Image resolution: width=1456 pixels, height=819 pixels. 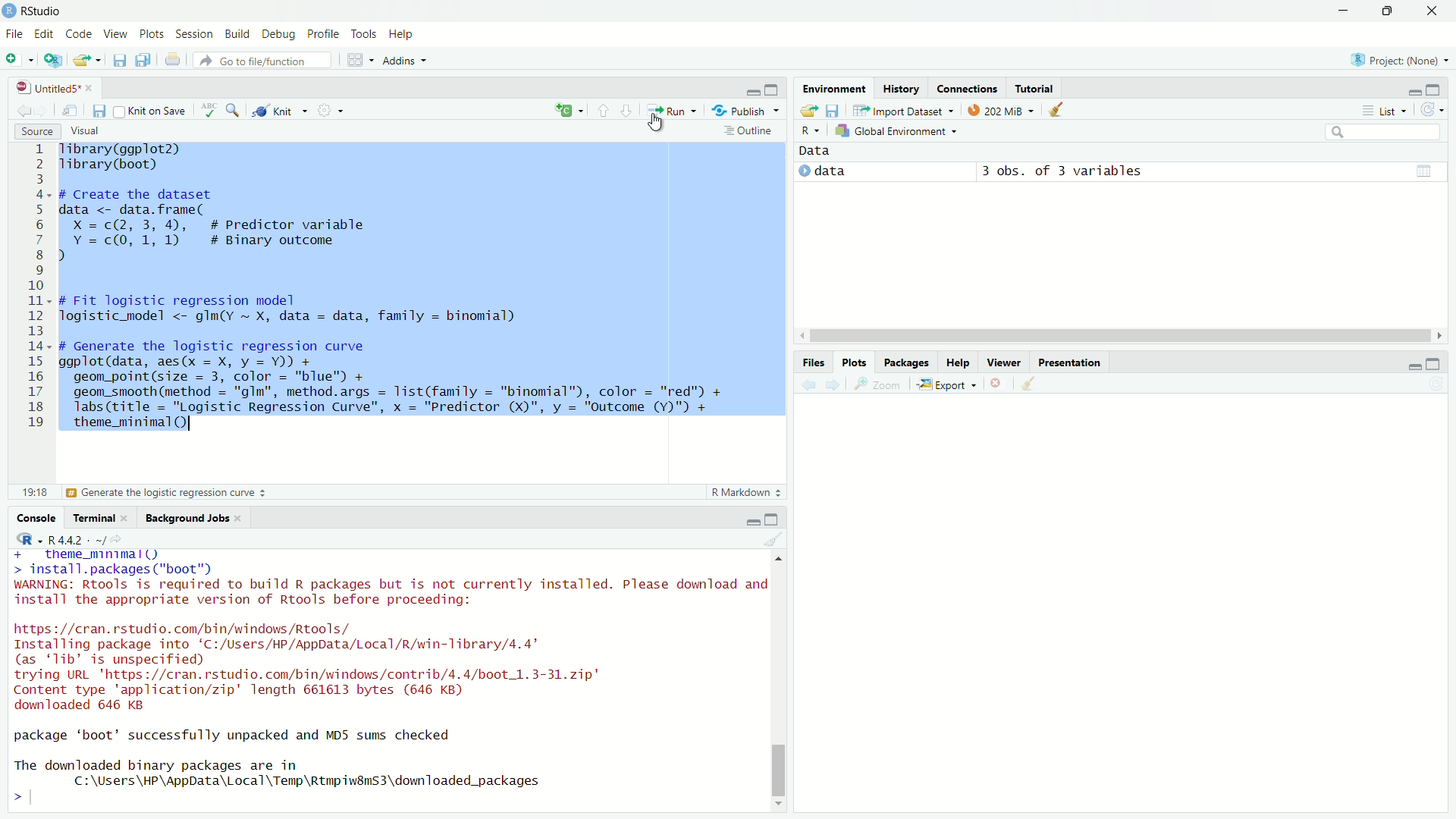 I want to click on Files, so click(x=814, y=363).